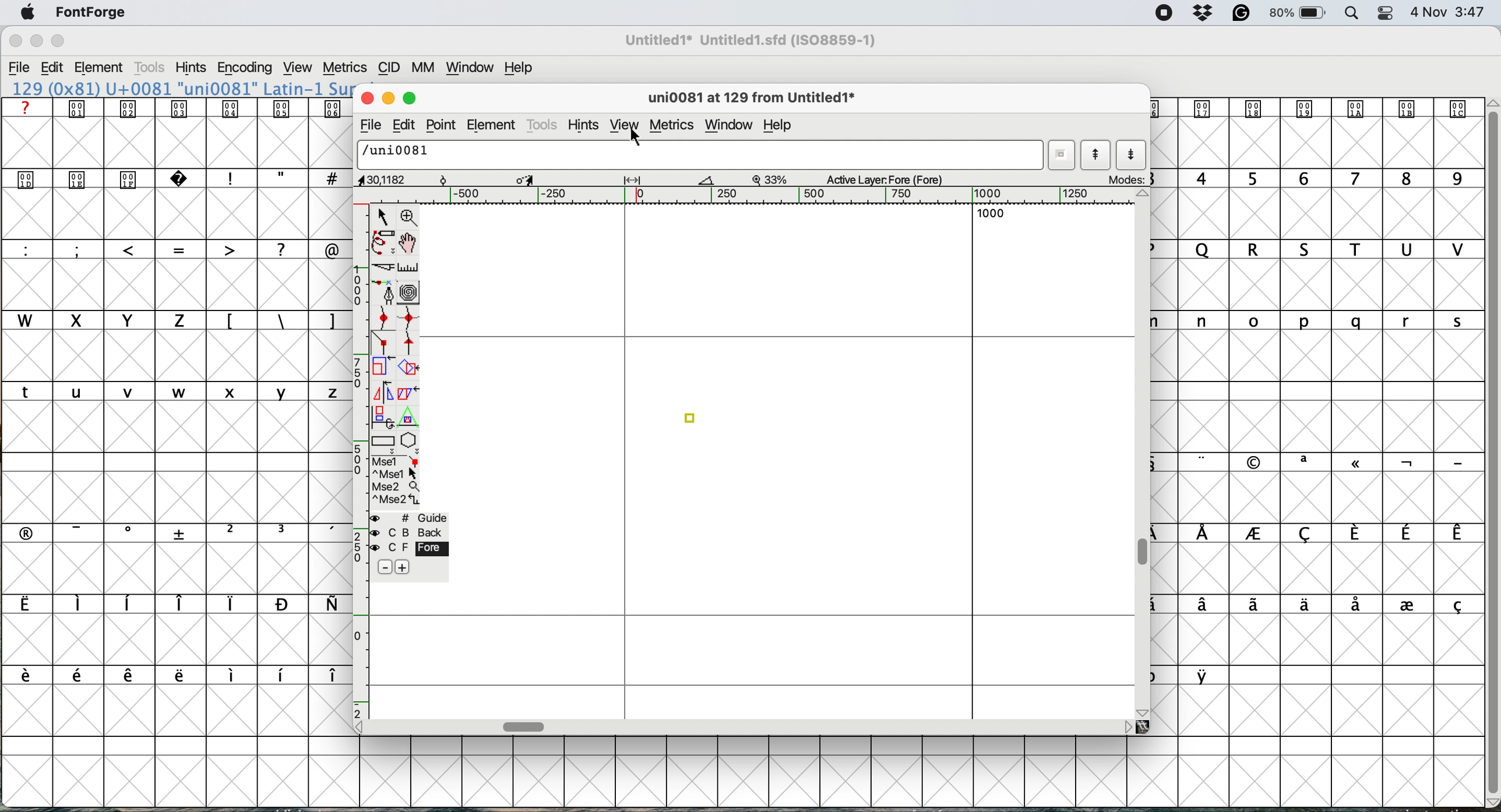  I want to click on Tools, so click(151, 67).